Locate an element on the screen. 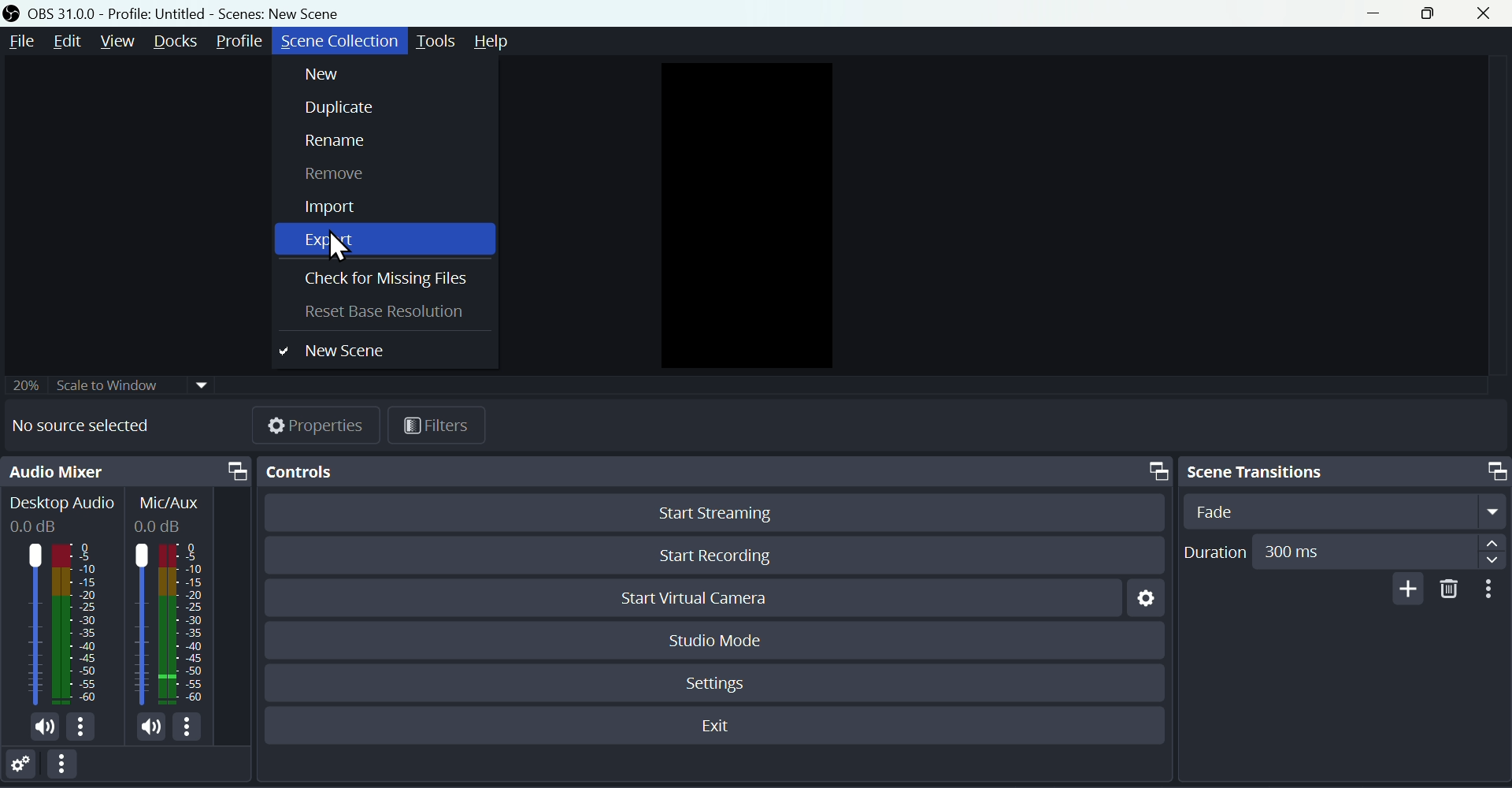 Image resolution: width=1512 pixels, height=788 pixels. Duplicate is located at coordinates (330, 110).